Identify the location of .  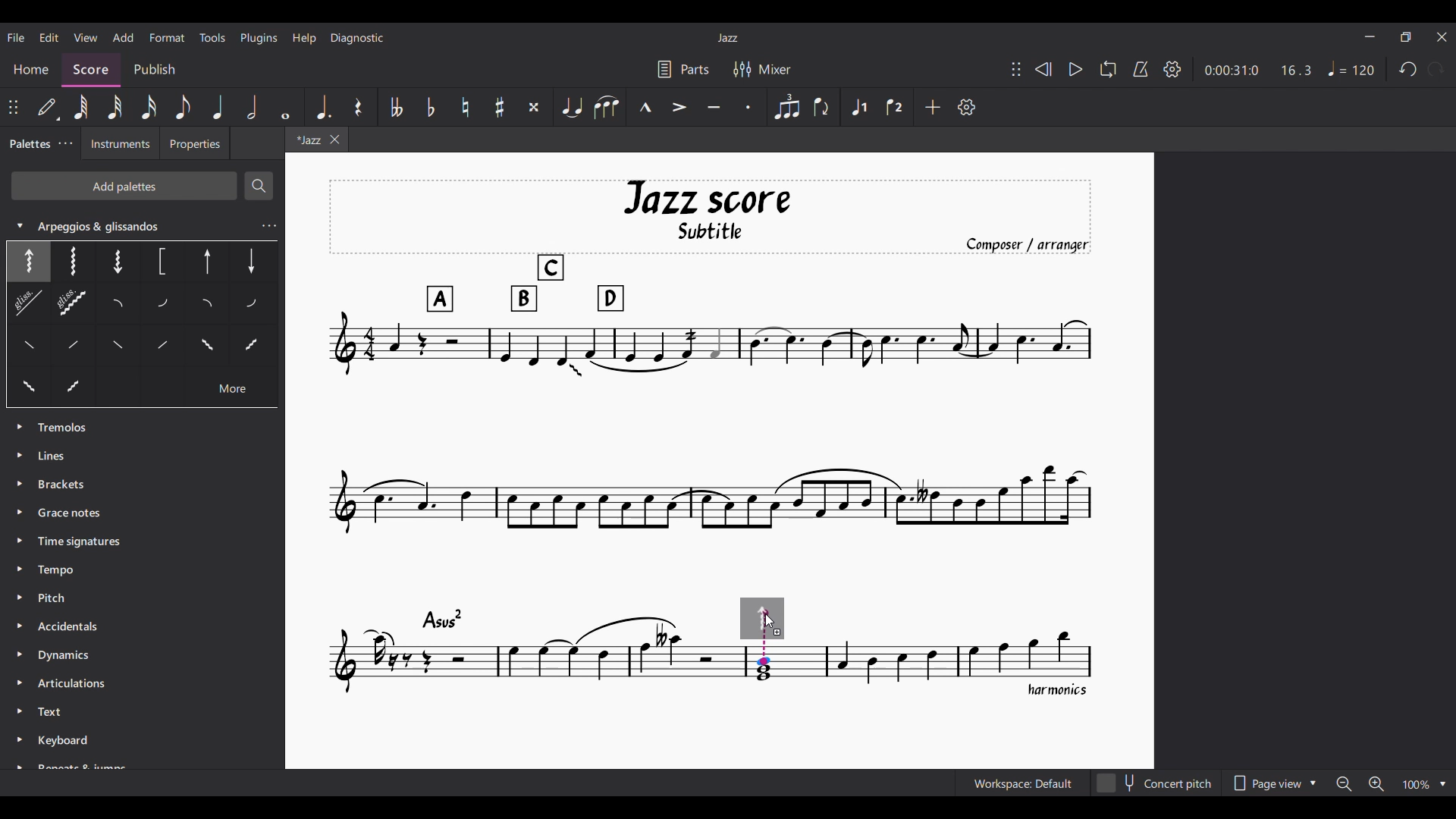
(252, 306).